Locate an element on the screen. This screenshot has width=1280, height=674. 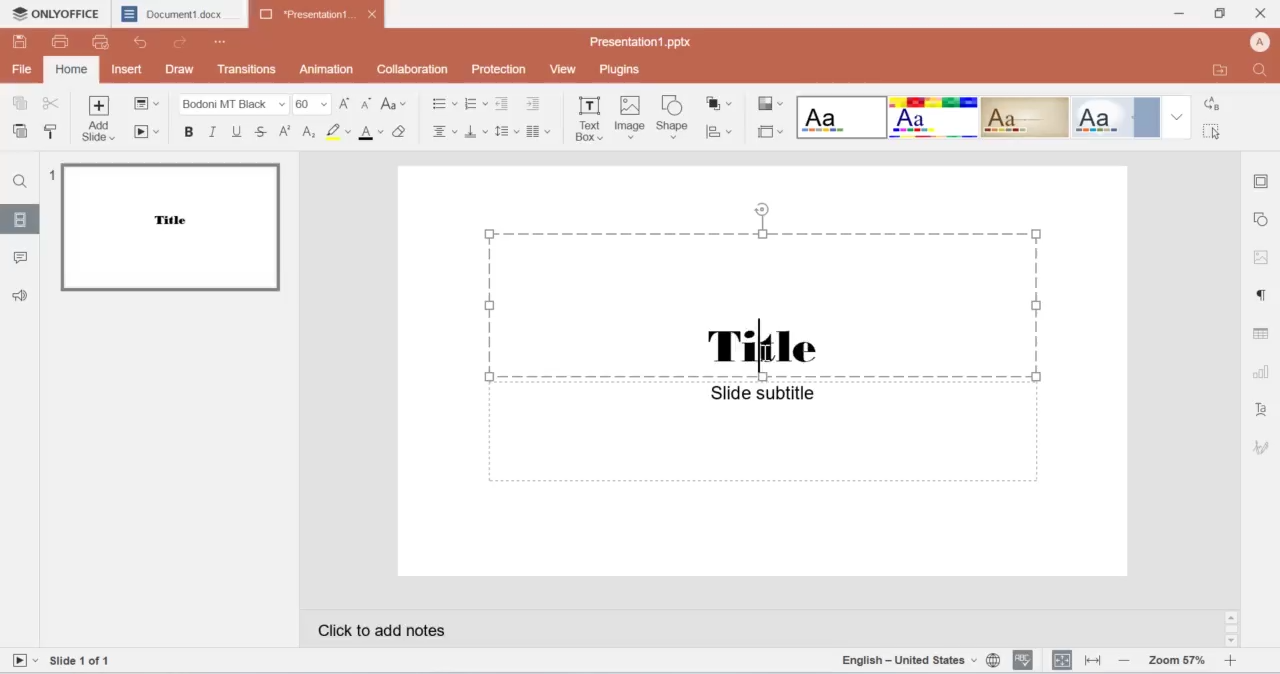
font settings is located at coordinates (1264, 412).